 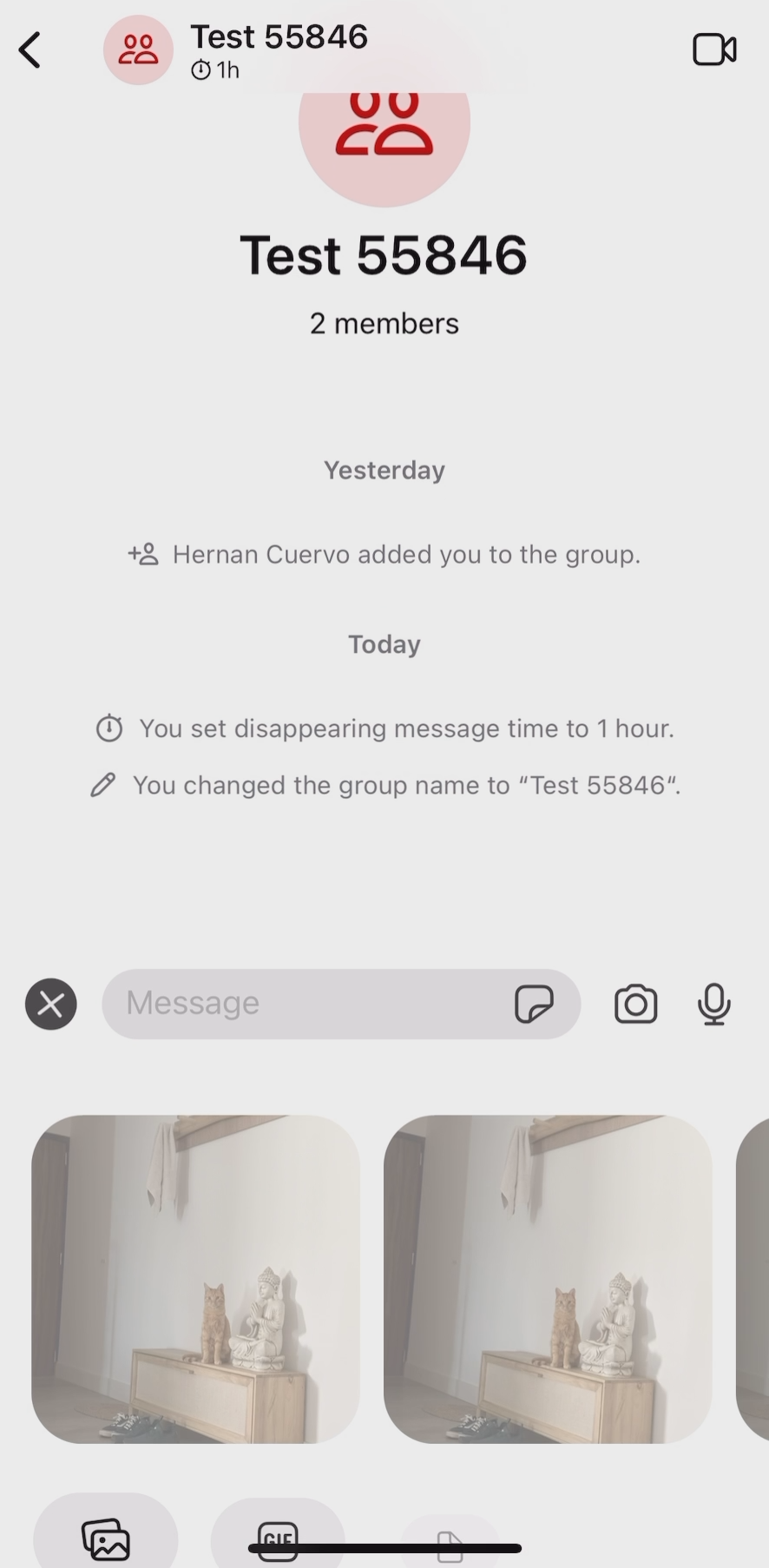 What do you see at coordinates (714, 49) in the screenshot?
I see `video call` at bounding box center [714, 49].